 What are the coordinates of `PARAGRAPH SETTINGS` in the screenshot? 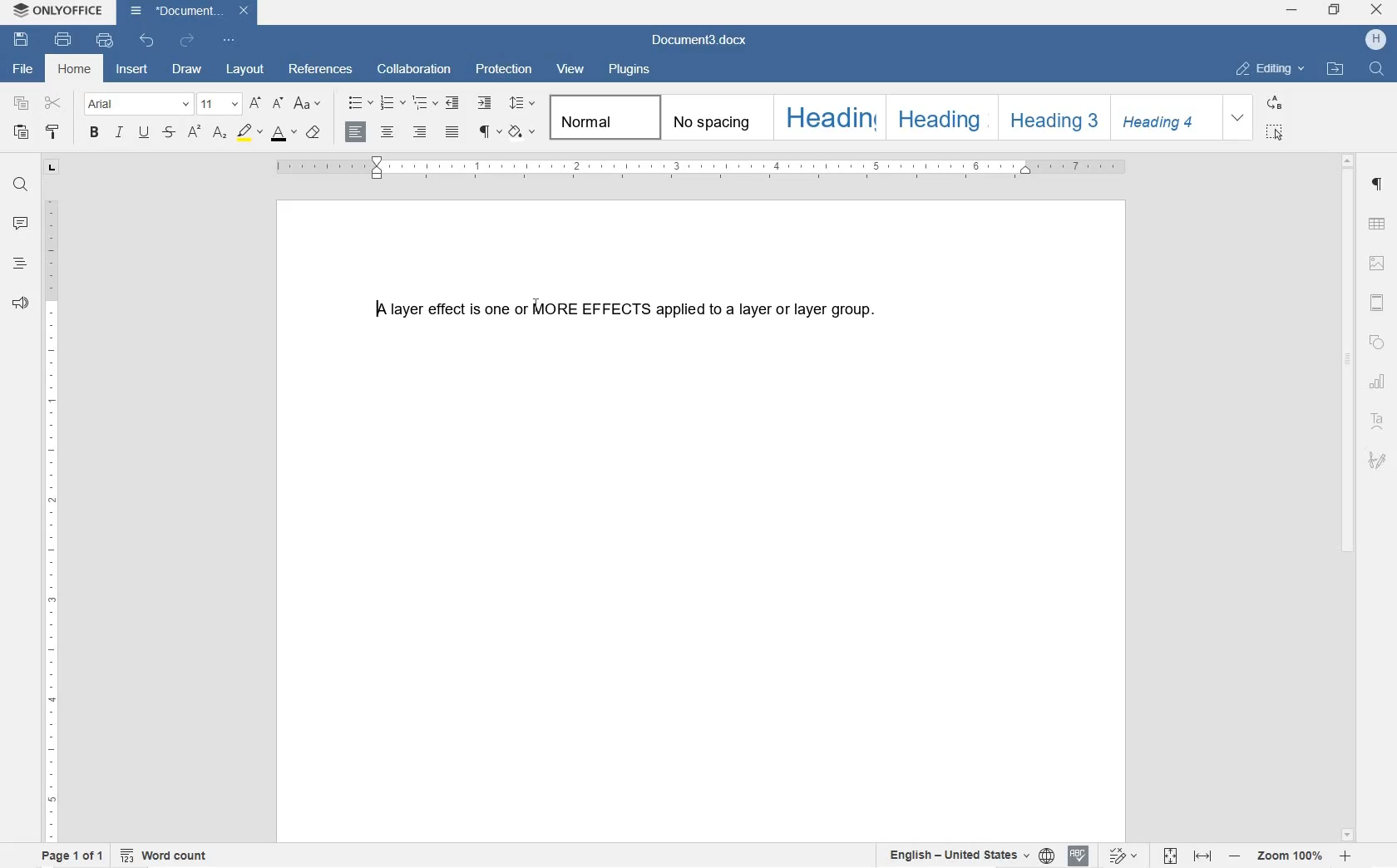 It's located at (1378, 188).